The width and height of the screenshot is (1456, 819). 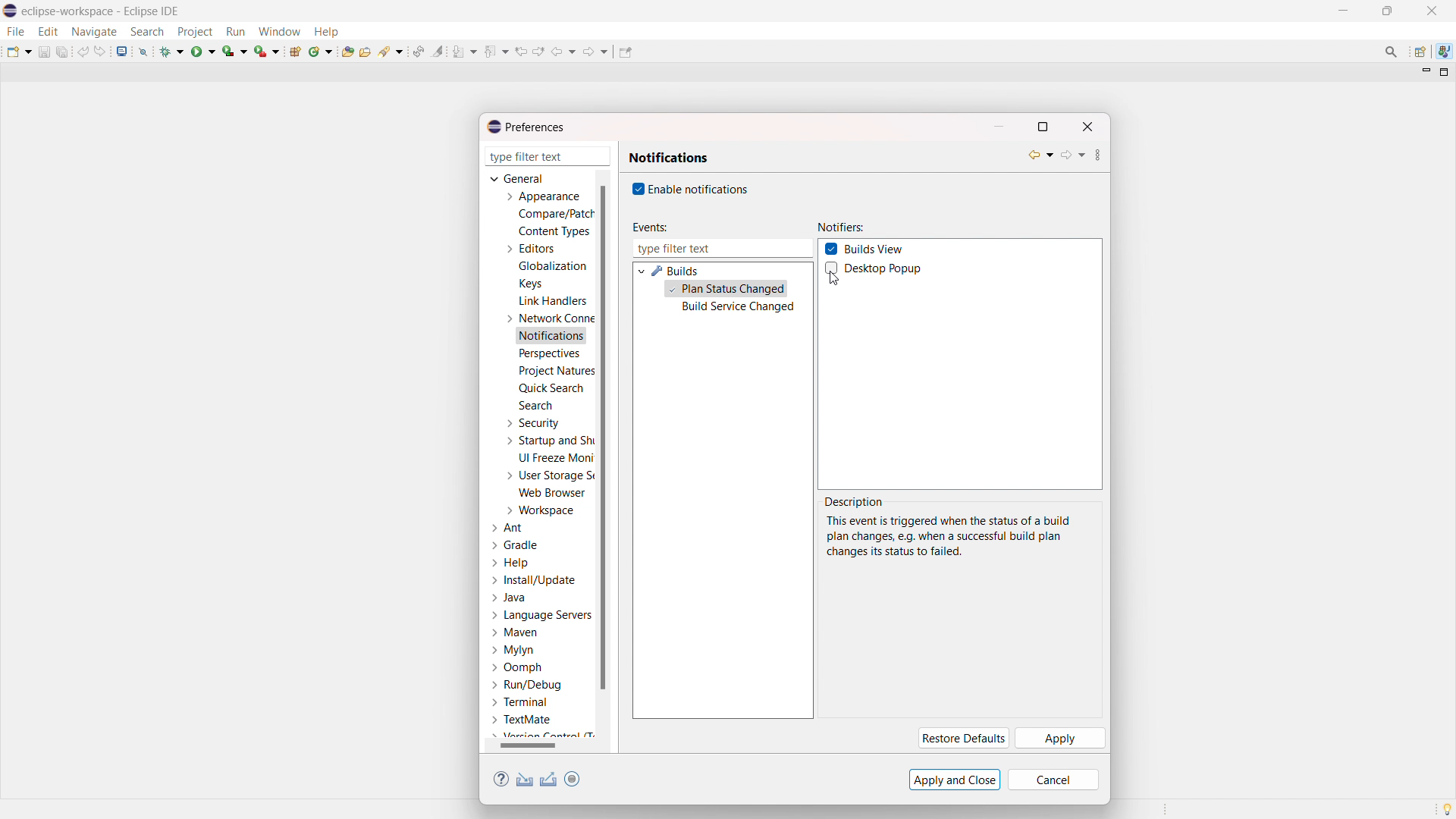 What do you see at coordinates (418, 51) in the screenshot?
I see `toggle ant editor auto reconcile` at bounding box center [418, 51].